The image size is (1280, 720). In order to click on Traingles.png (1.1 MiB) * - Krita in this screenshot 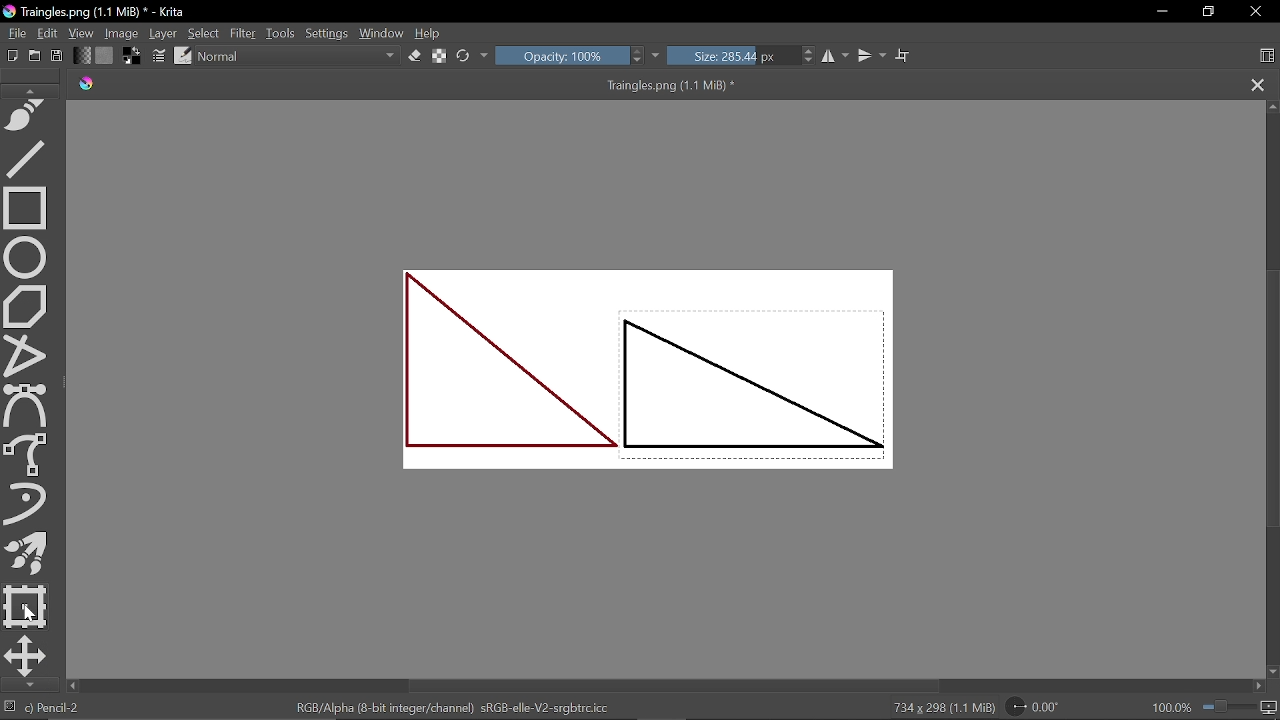, I will do `click(98, 13)`.